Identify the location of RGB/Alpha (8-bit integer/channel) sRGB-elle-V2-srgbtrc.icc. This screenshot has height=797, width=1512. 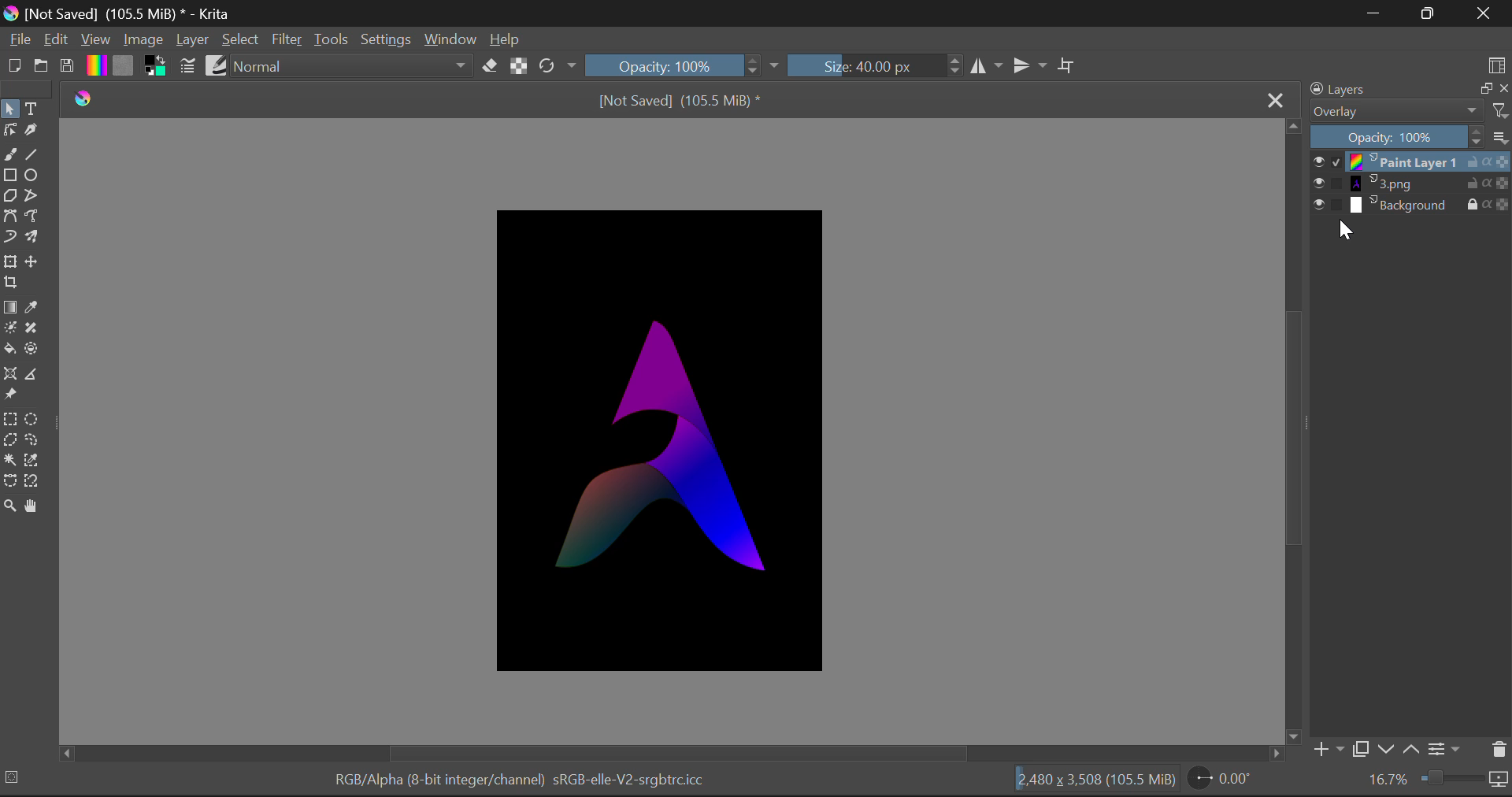
(521, 780).